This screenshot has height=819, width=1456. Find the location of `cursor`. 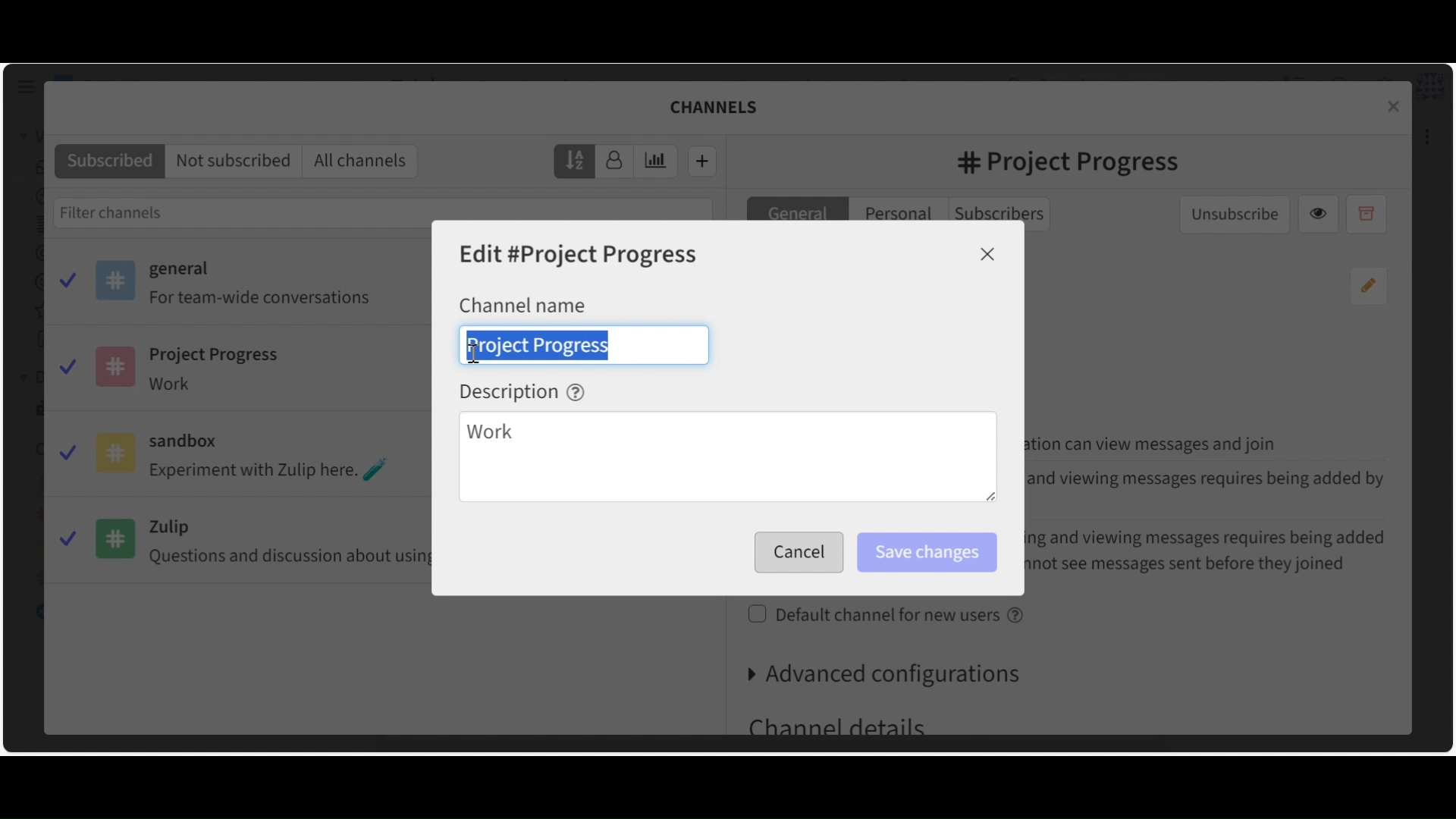

cursor is located at coordinates (473, 354).